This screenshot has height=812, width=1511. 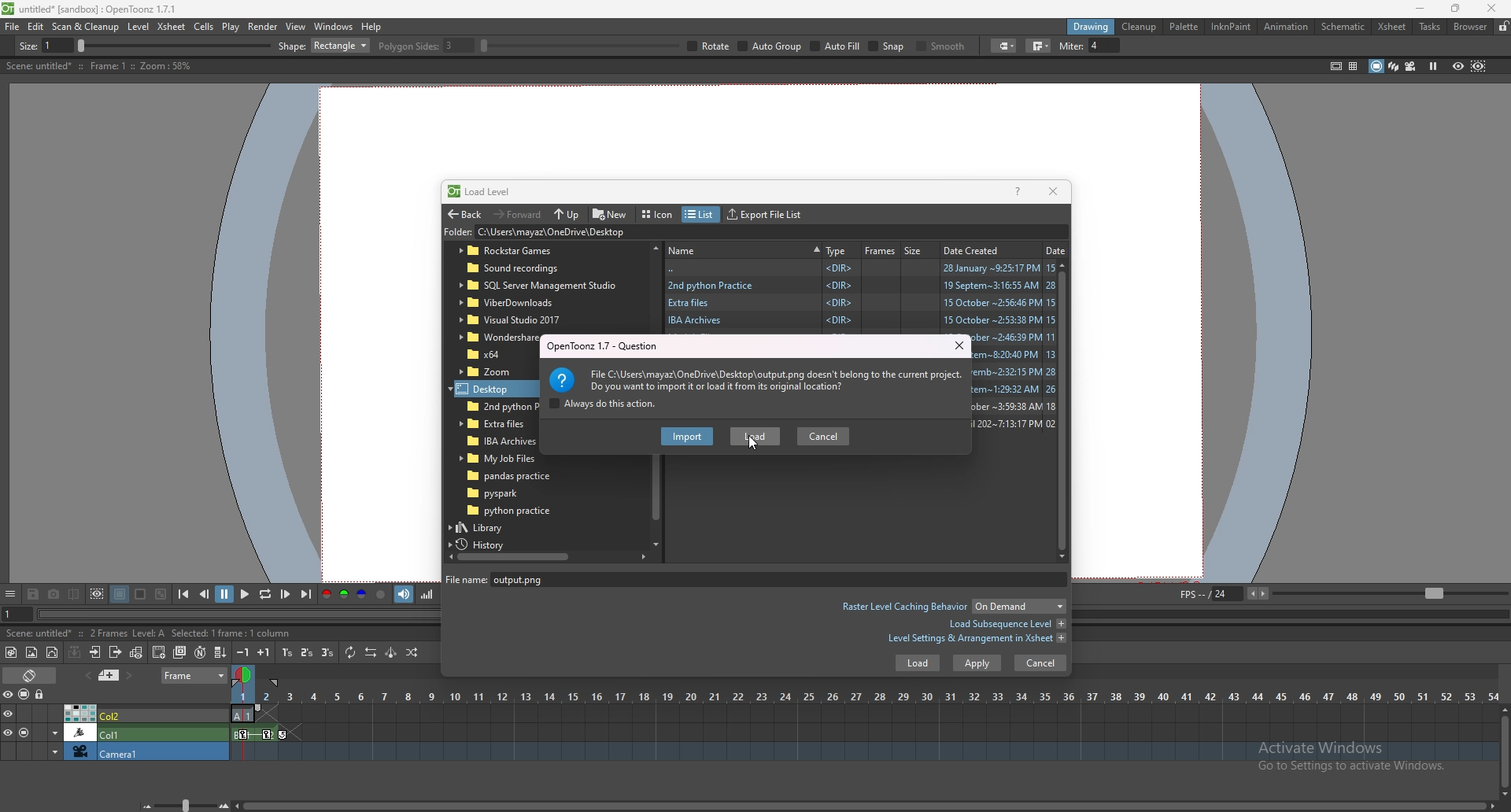 What do you see at coordinates (864, 733) in the screenshot?
I see `timeline` at bounding box center [864, 733].